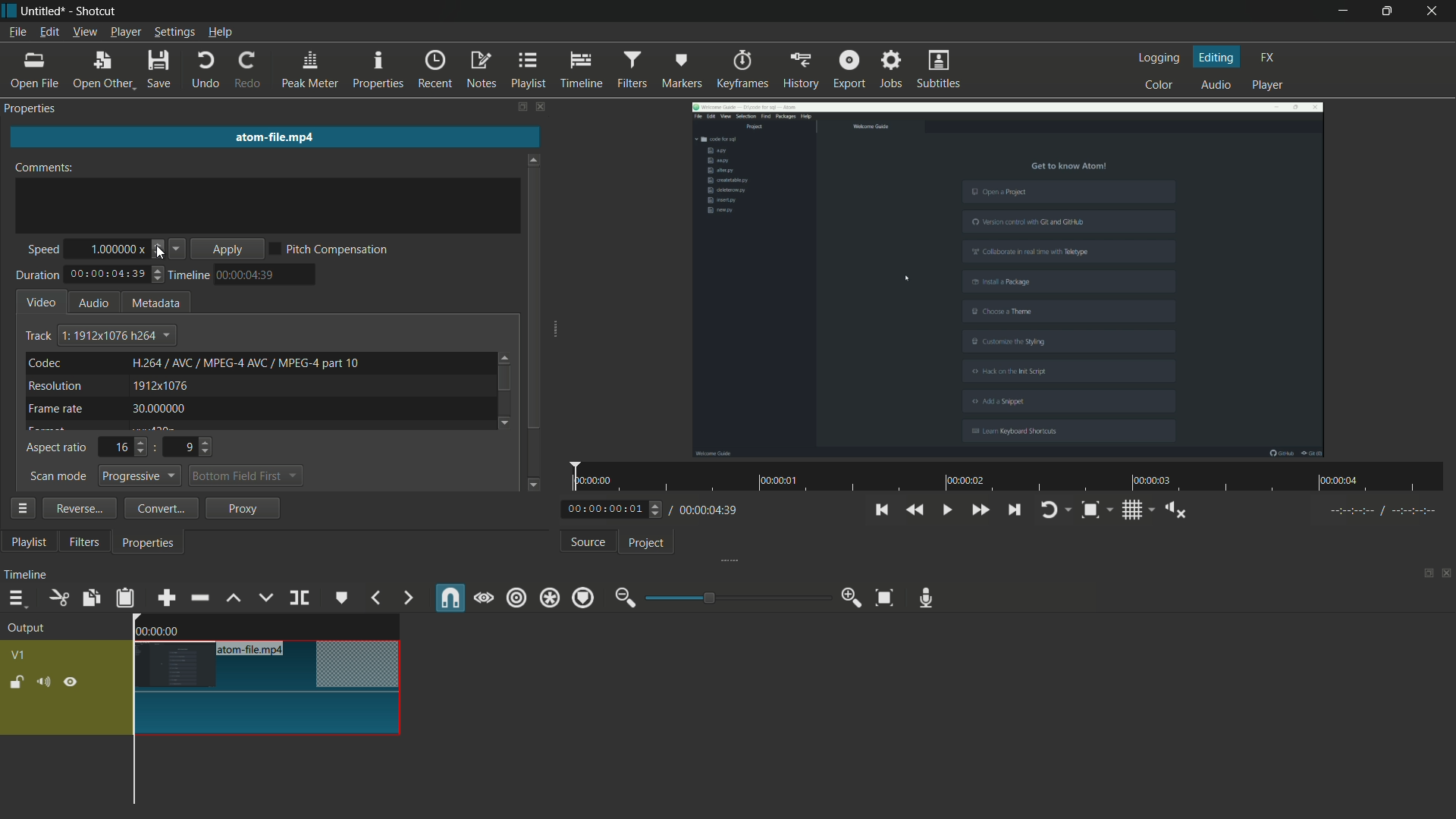 The width and height of the screenshot is (1456, 819). What do you see at coordinates (219, 34) in the screenshot?
I see `help menu` at bounding box center [219, 34].